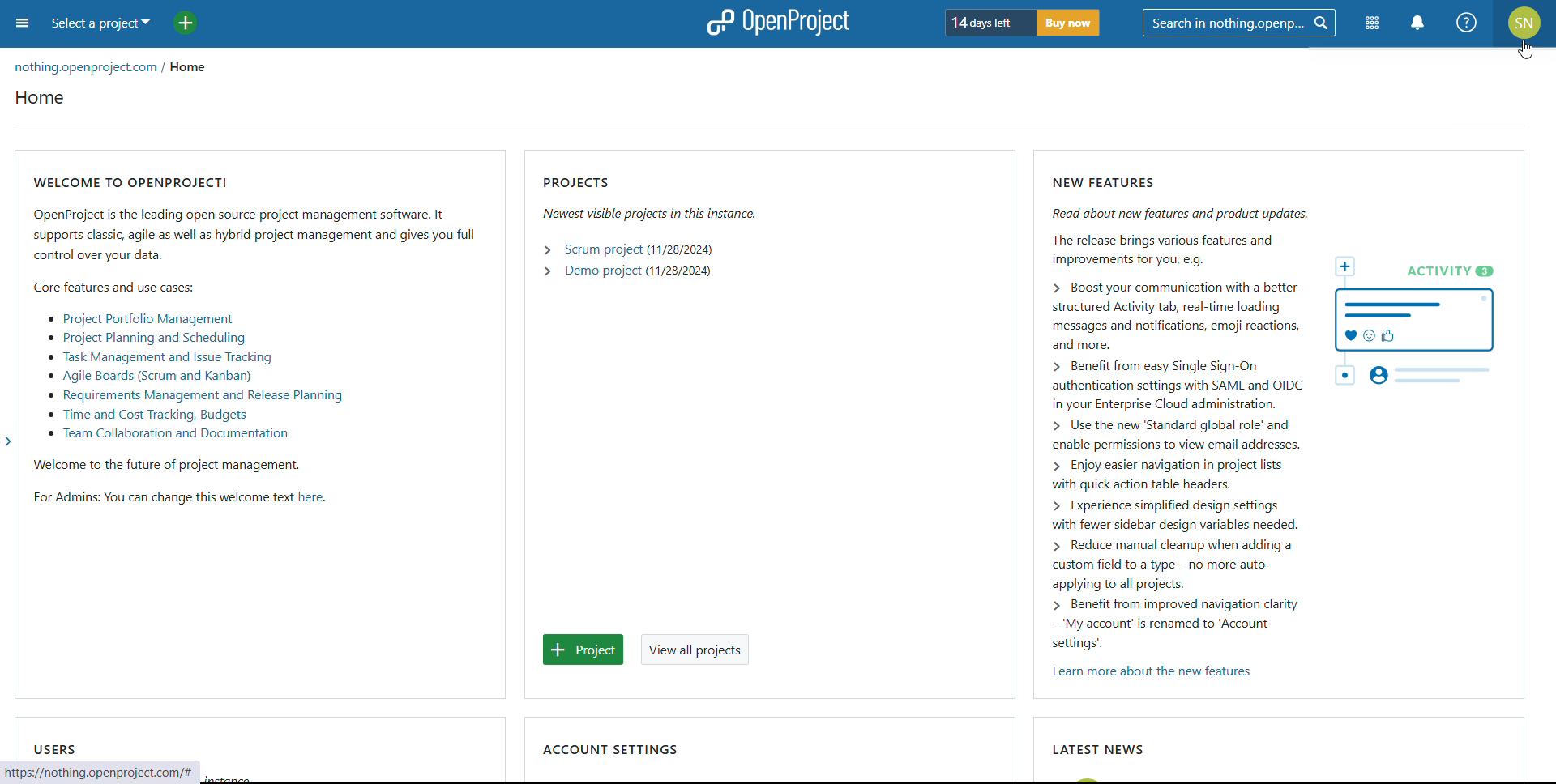 This screenshot has width=1556, height=784. Describe the element at coordinates (602, 250) in the screenshot. I see `scrum project` at that location.